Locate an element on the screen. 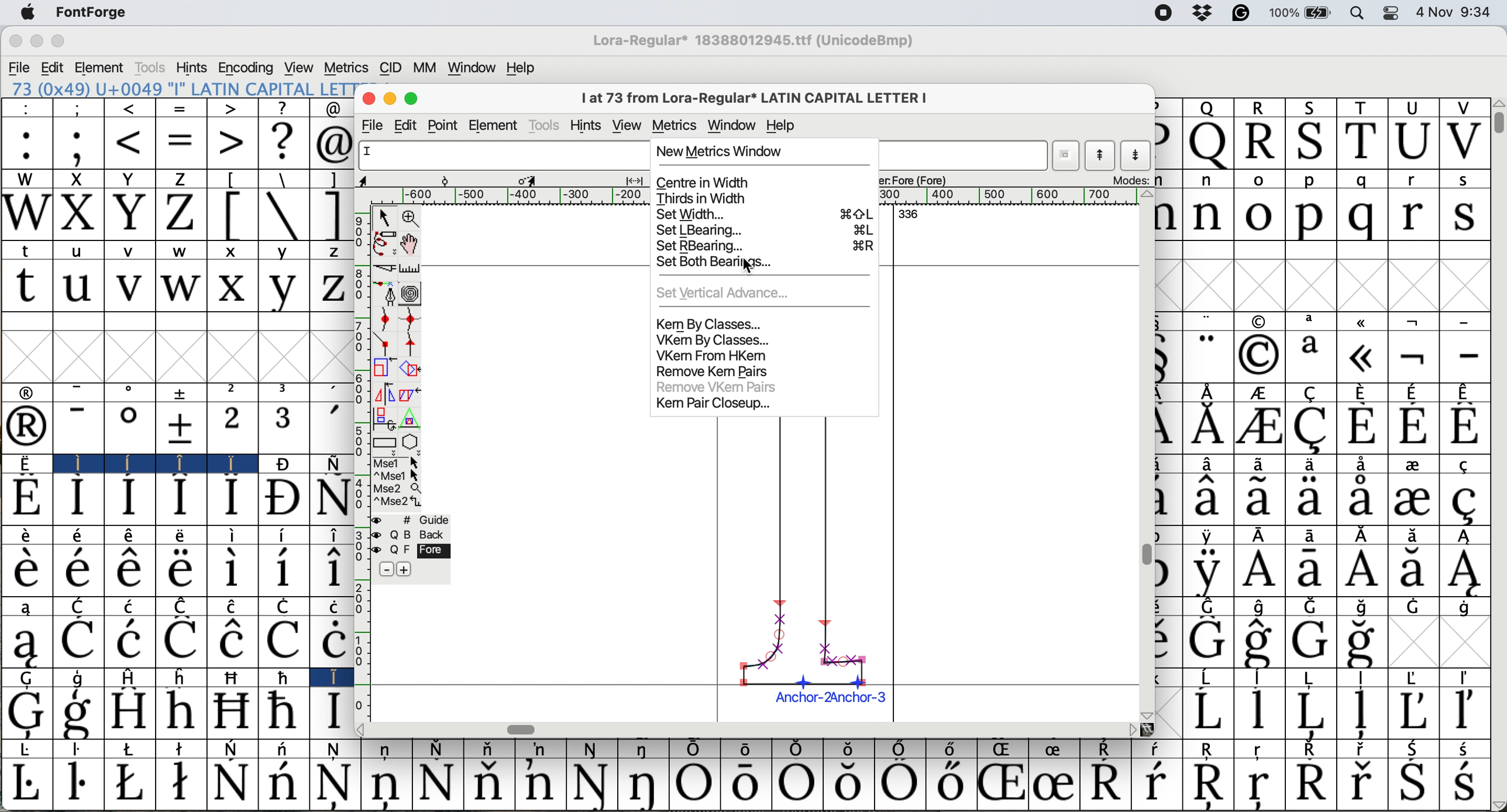 Image resolution: width=1507 pixels, height=812 pixels. Symbol is located at coordinates (129, 711).